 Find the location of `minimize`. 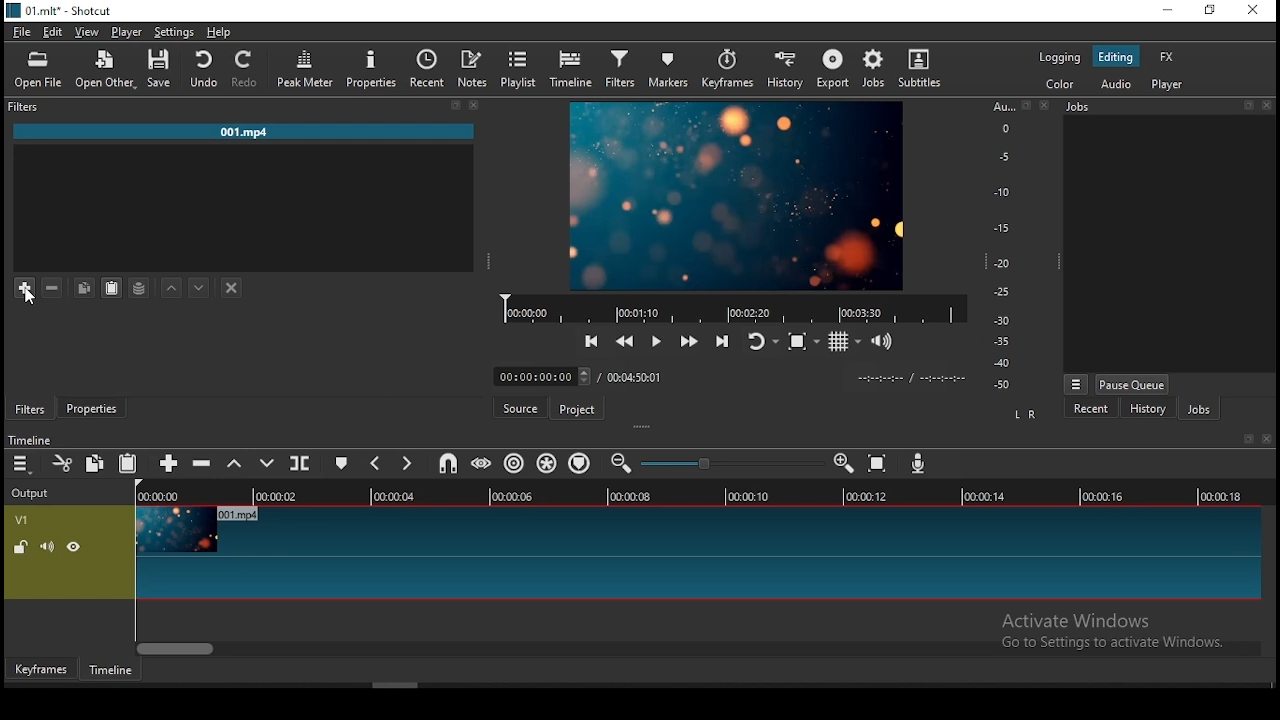

minimize is located at coordinates (1168, 10).